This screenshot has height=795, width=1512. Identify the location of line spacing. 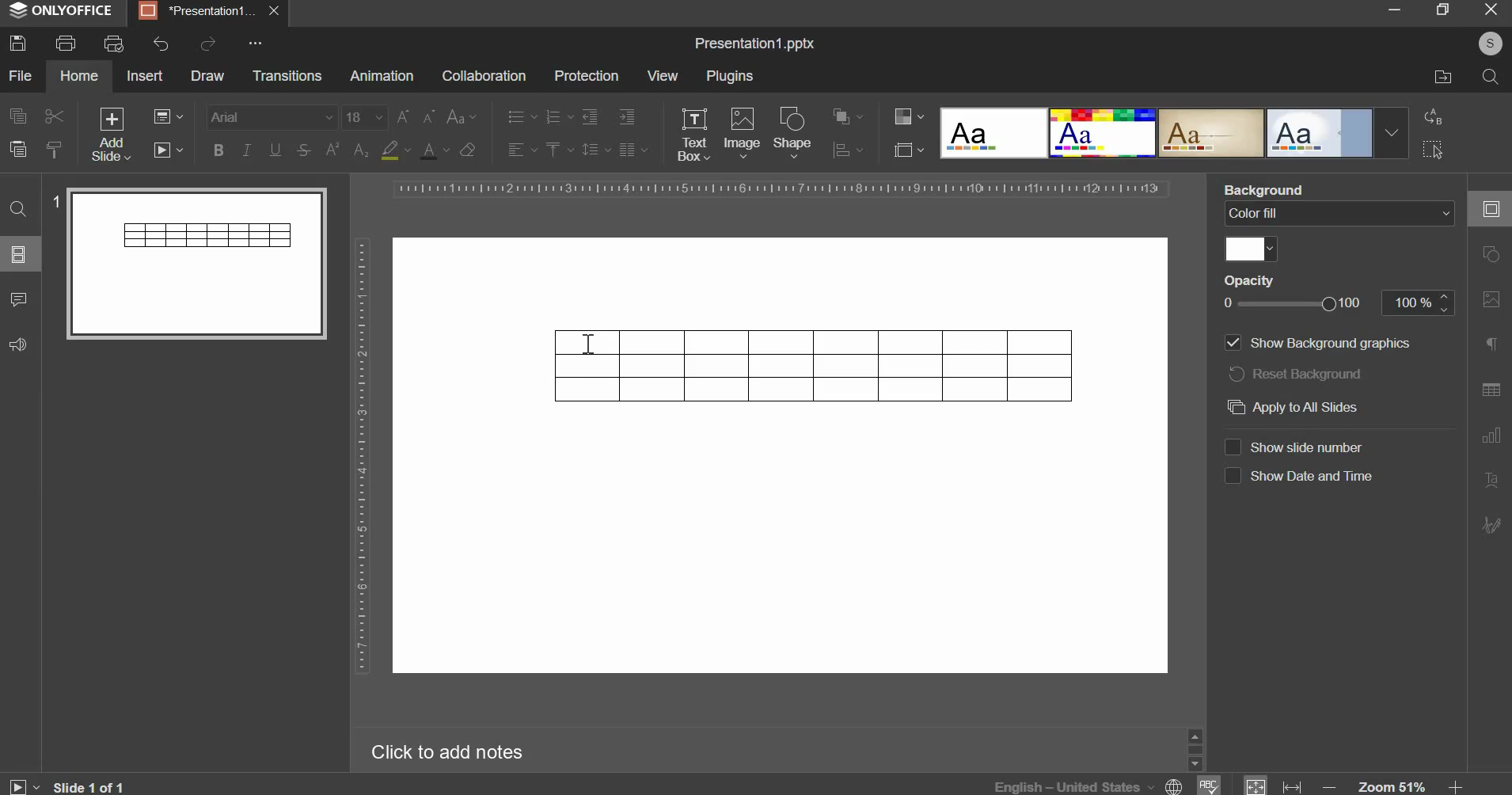
(595, 150).